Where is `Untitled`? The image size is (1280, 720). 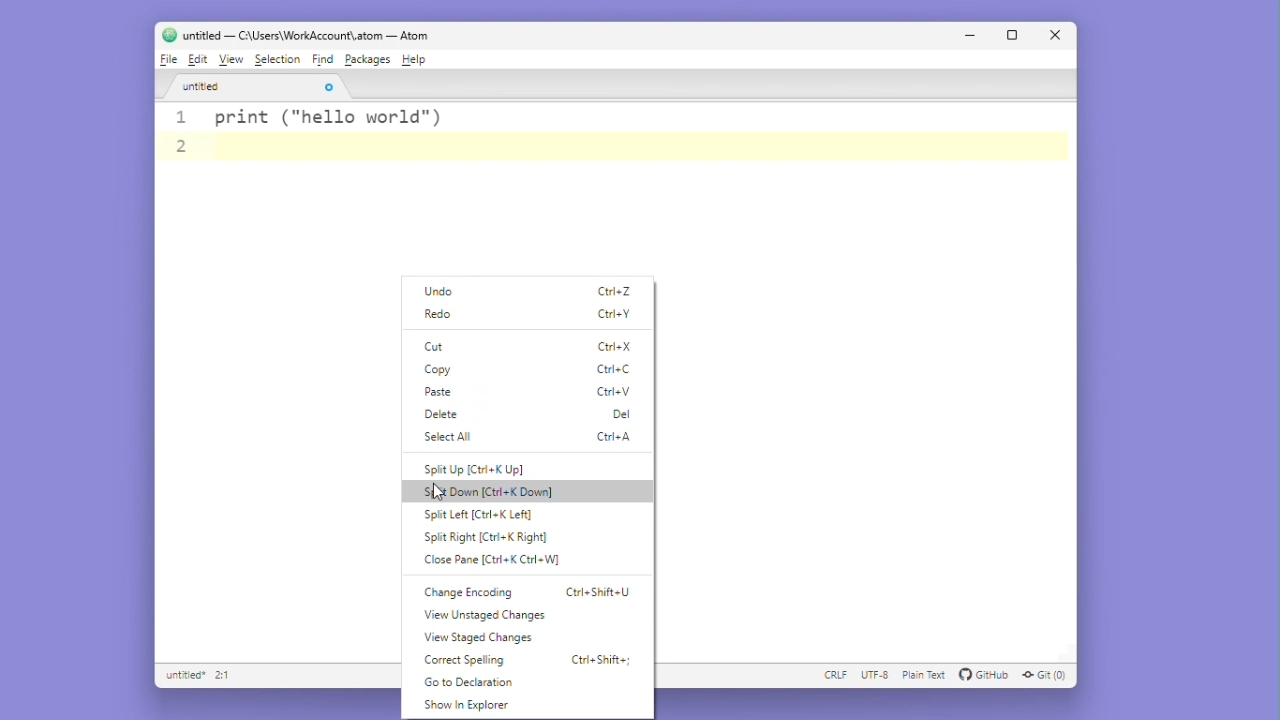 Untitled is located at coordinates (255, 91).